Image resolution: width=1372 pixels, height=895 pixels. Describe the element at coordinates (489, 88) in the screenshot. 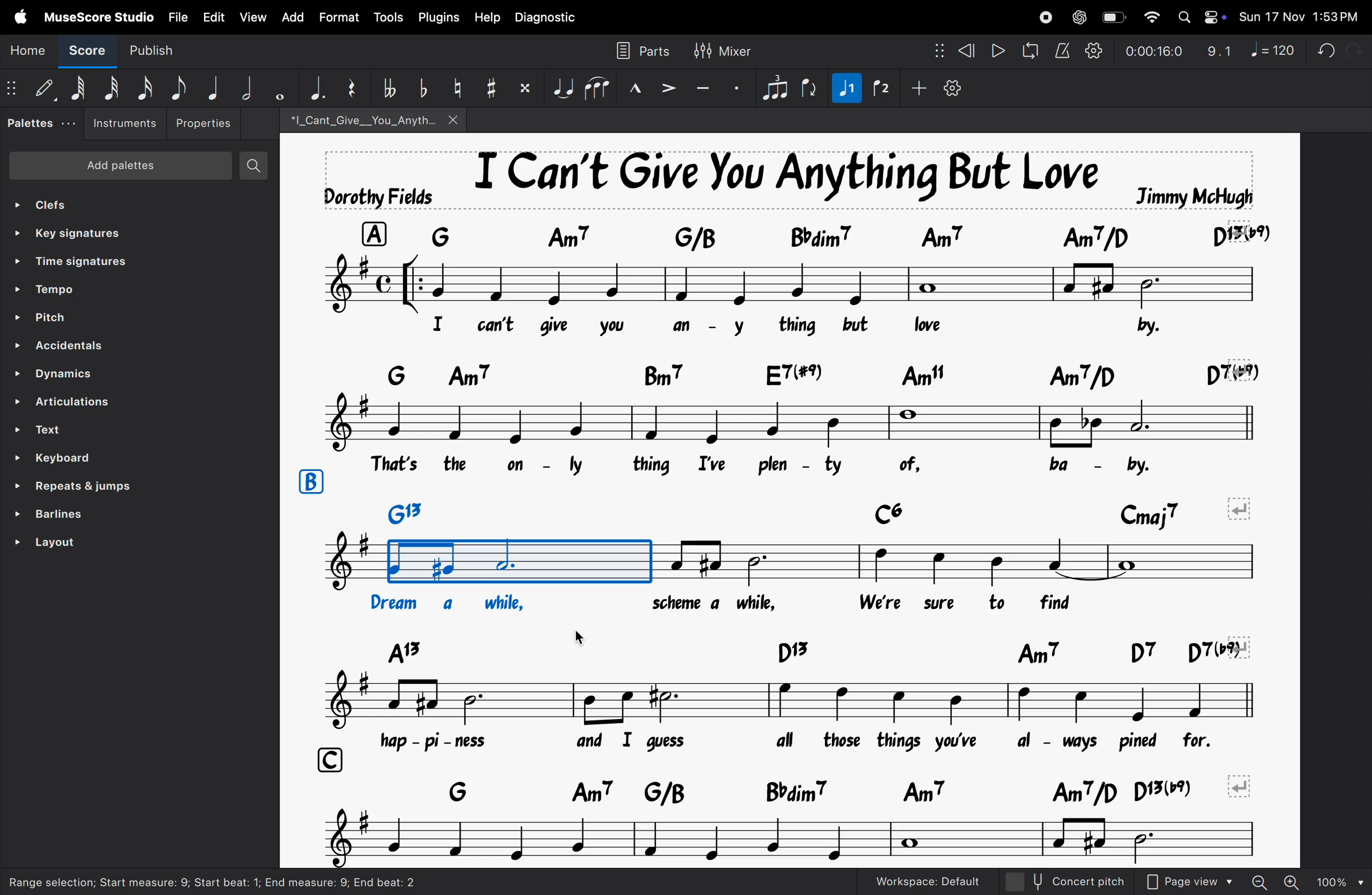

I see `toggle sharp` at that location.